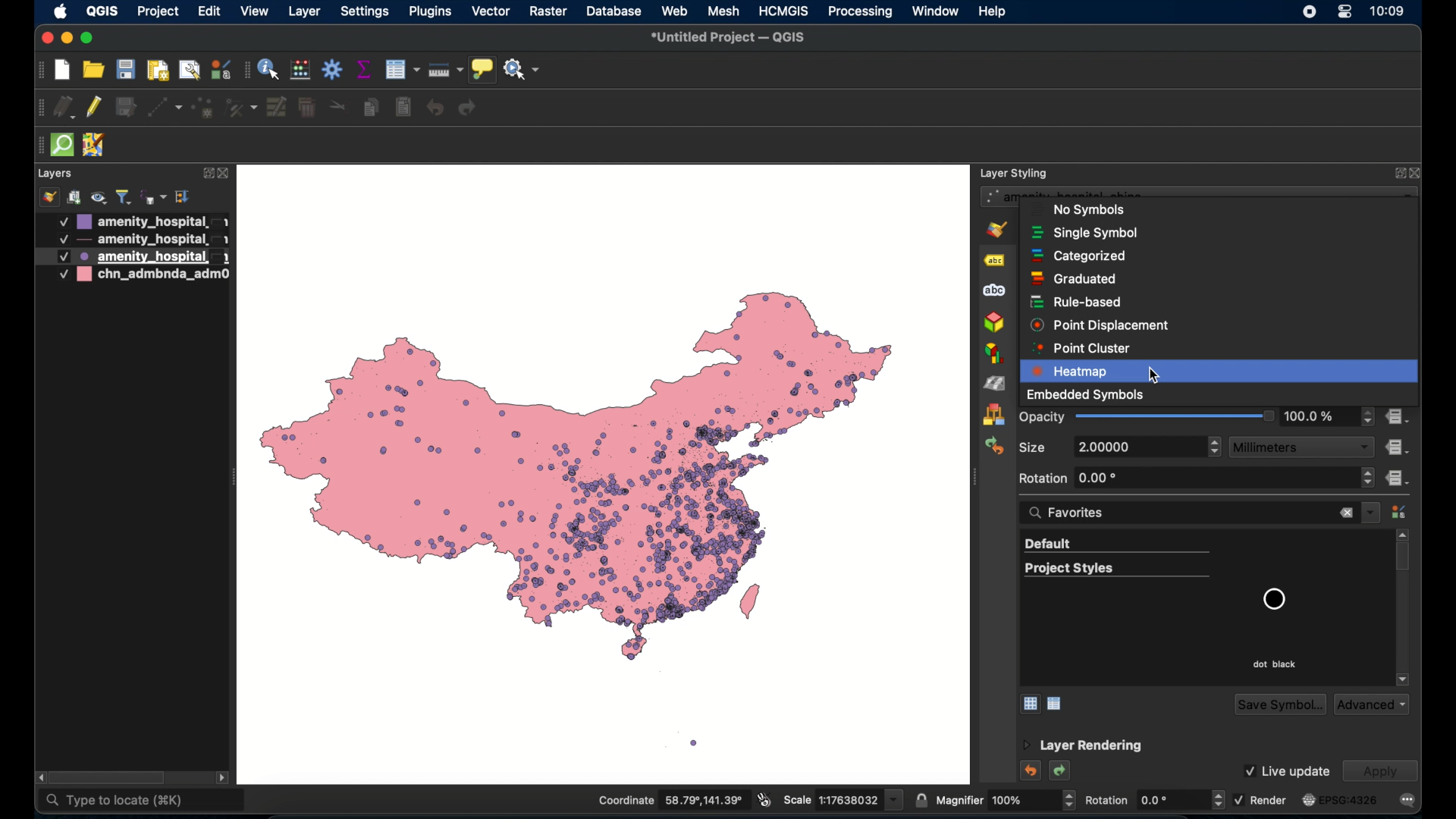 Image resolution: width=1456 pixels, height=819 pixels. Describe the element at coordinates (1396, 172) in the screenshot. I see `expand` at that location.